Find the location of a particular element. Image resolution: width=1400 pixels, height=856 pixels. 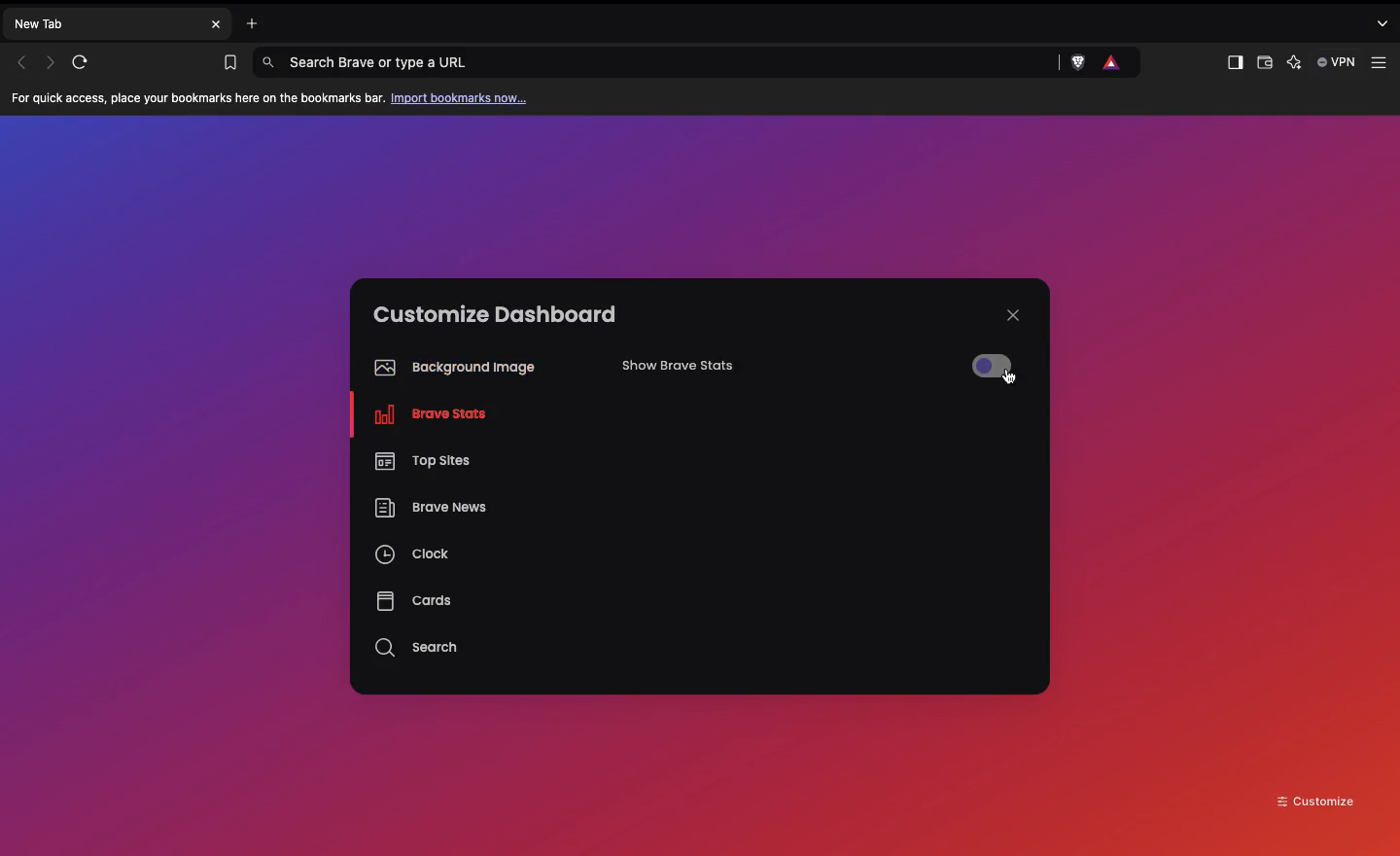

Customize dashboard is located at coordinates (495, 314).